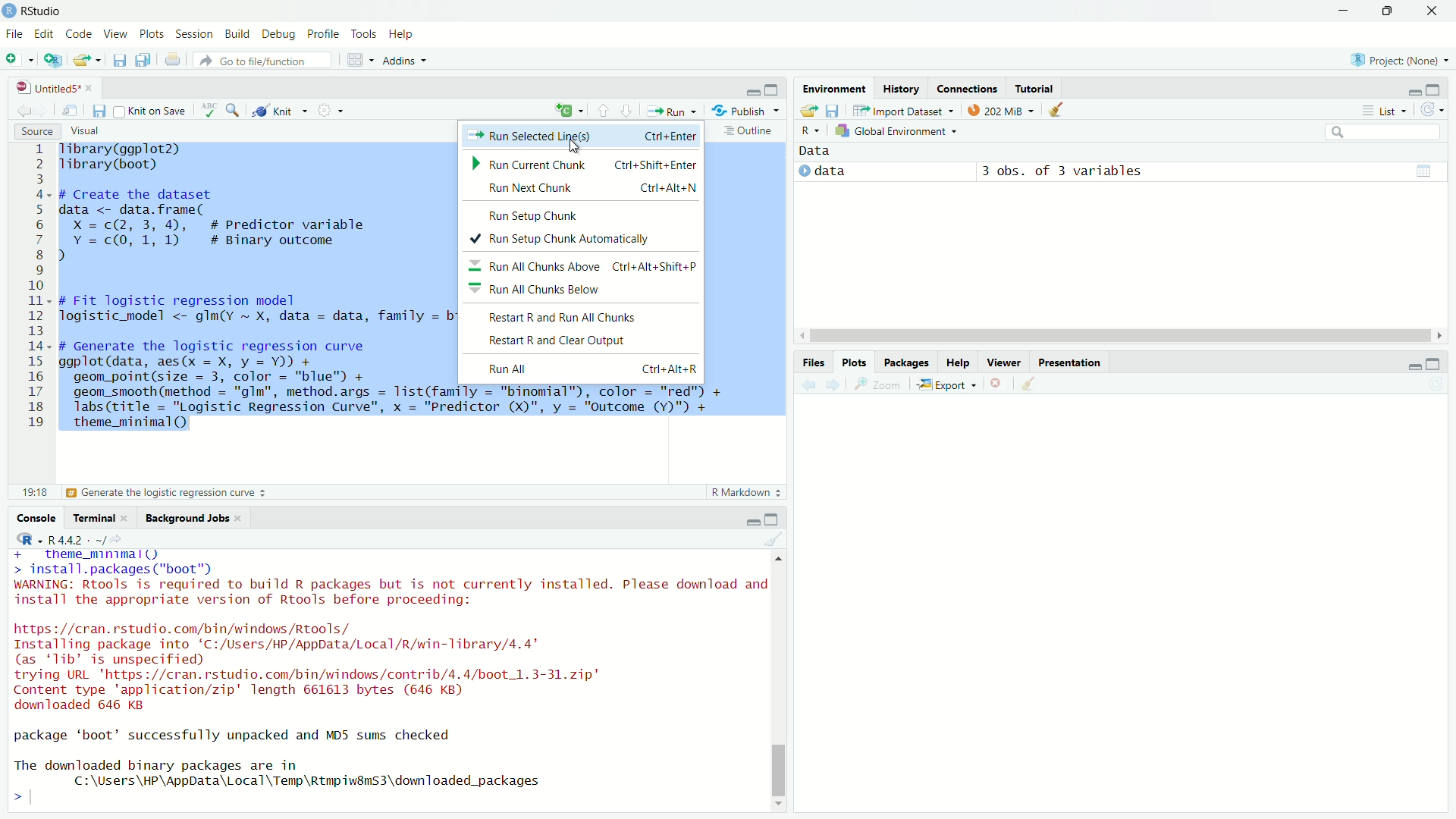  Describe the element at coordinates (751, 130) in the screenshot. I see `Outline` at that location.